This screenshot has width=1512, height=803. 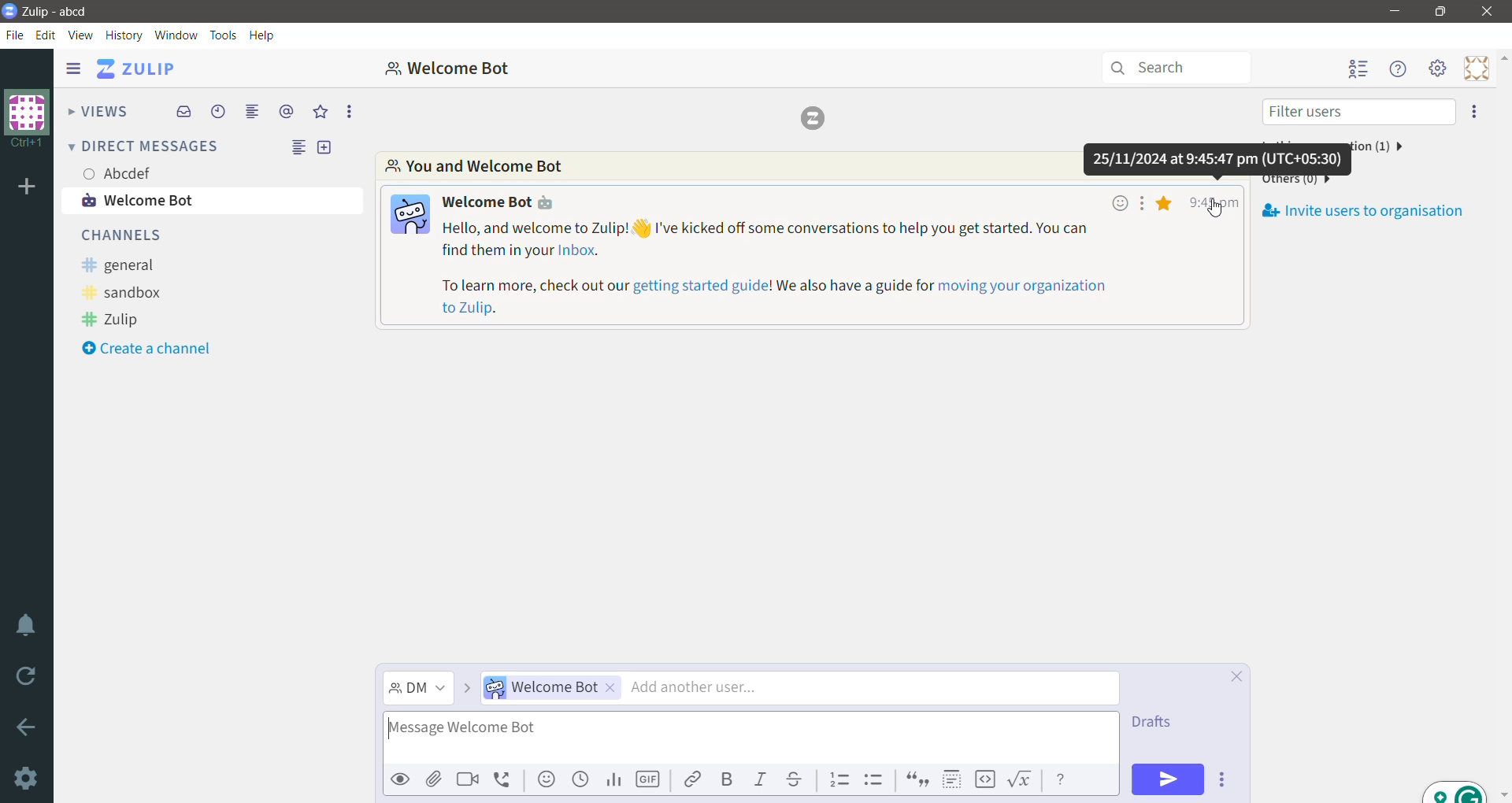 I want to click on Conversation Participants details, so click(x=729, y=165).